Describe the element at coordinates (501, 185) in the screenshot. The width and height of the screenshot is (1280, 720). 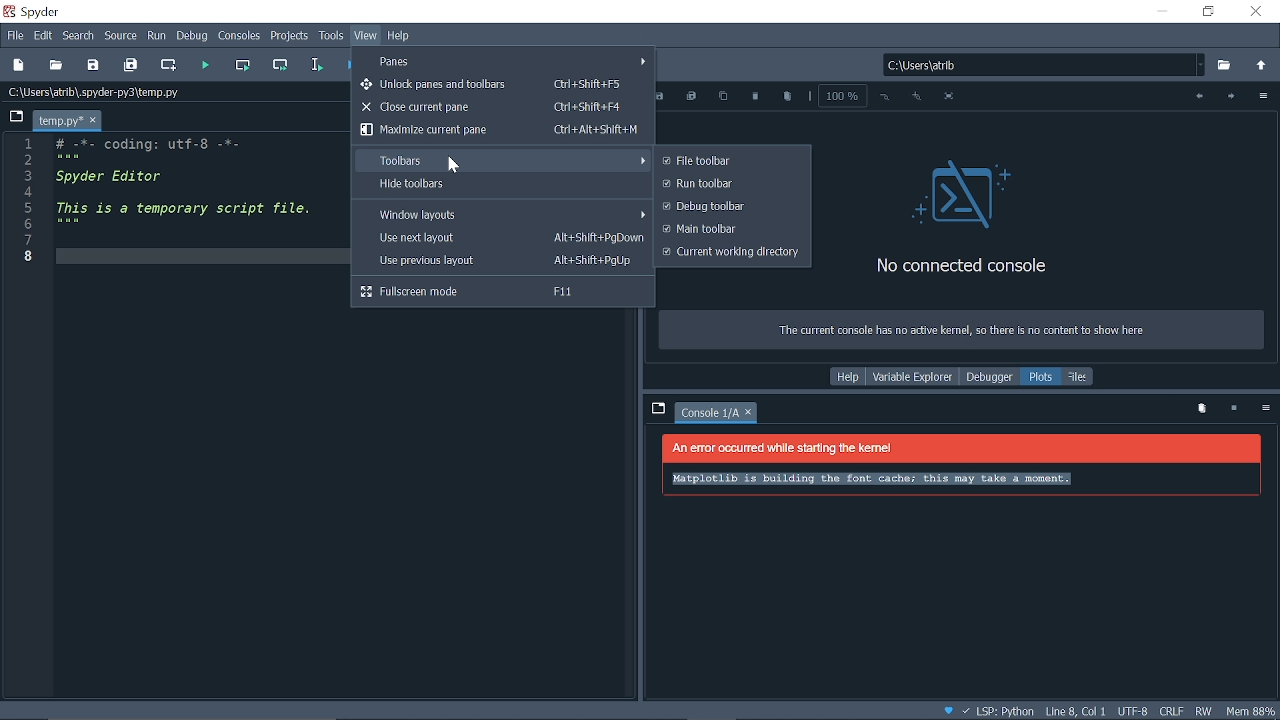
I see `Hide toolbars` at that location.